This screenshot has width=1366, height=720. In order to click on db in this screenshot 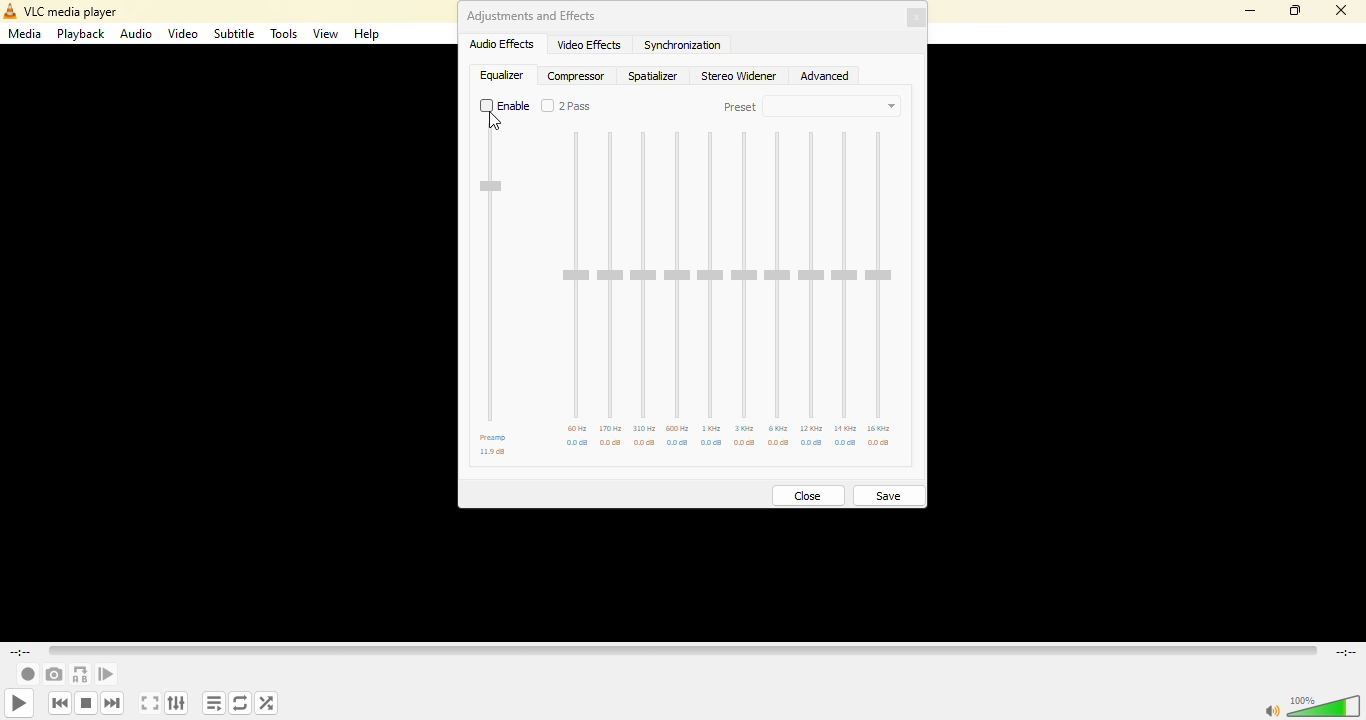, I will do `click(746, 443)`.